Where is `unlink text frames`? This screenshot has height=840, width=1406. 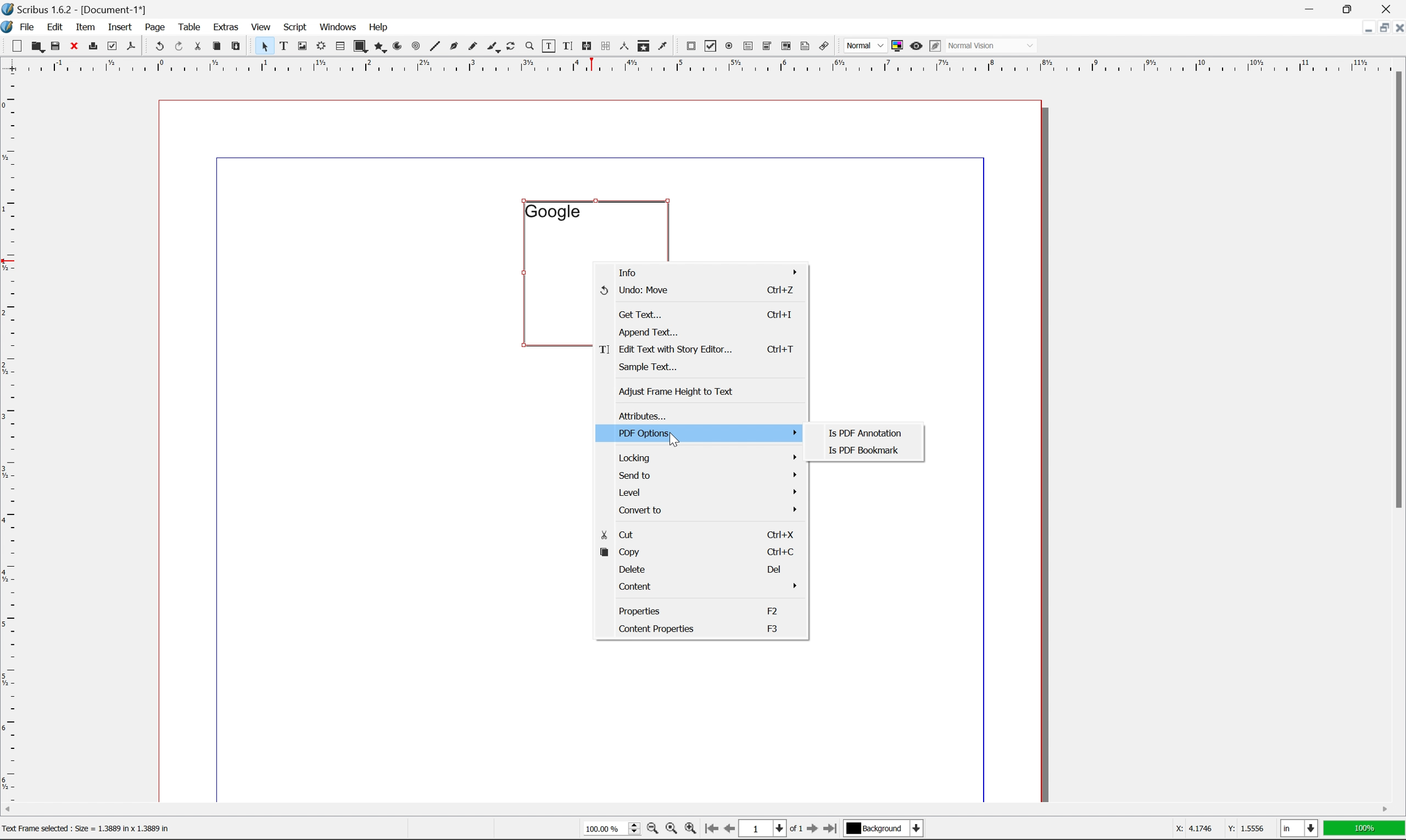
unlink text frames is located at coordinates (604, 46).